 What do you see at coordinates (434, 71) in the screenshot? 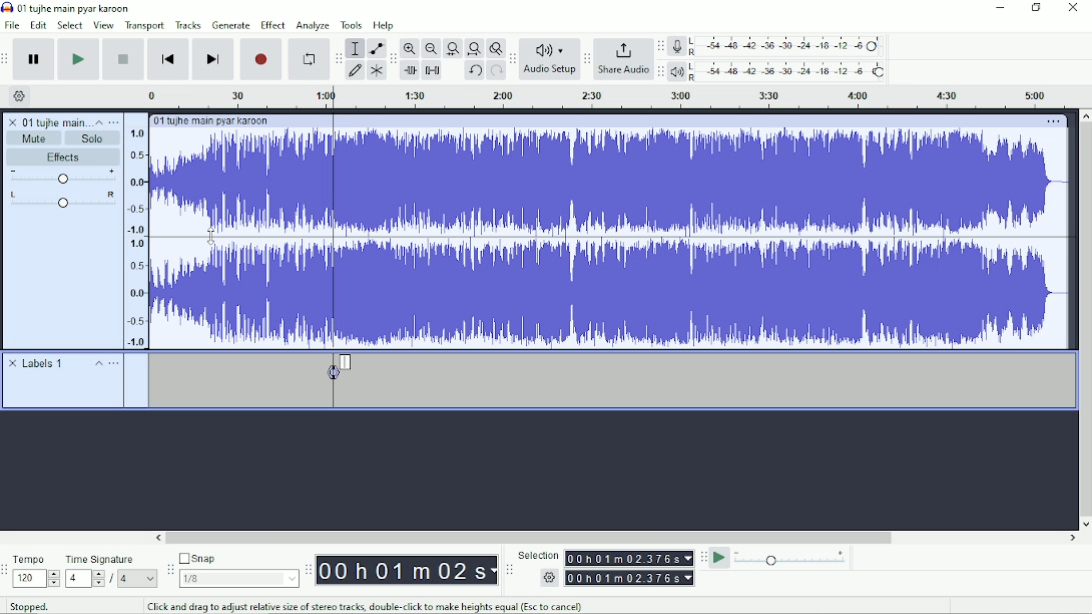
I see `Silence audio selection` at bounding box center [434, 71].